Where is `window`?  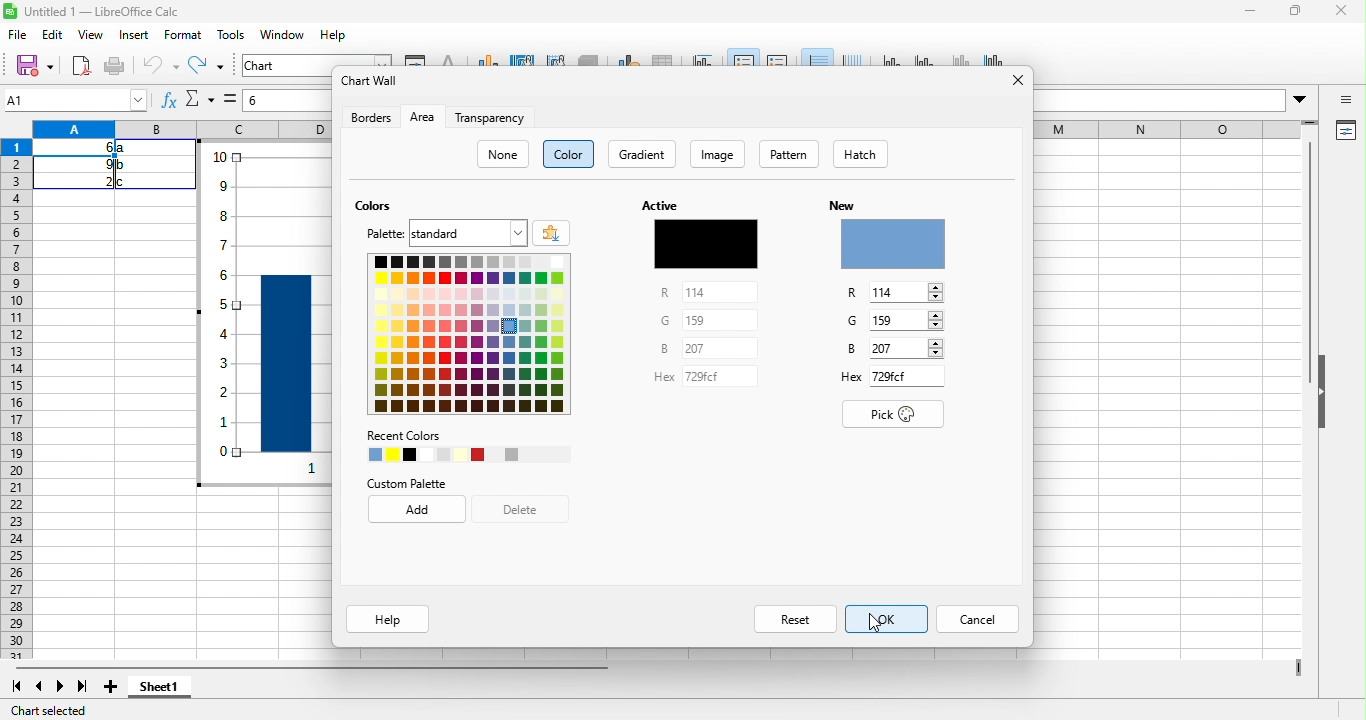
window is located at coordinates (284, 35).